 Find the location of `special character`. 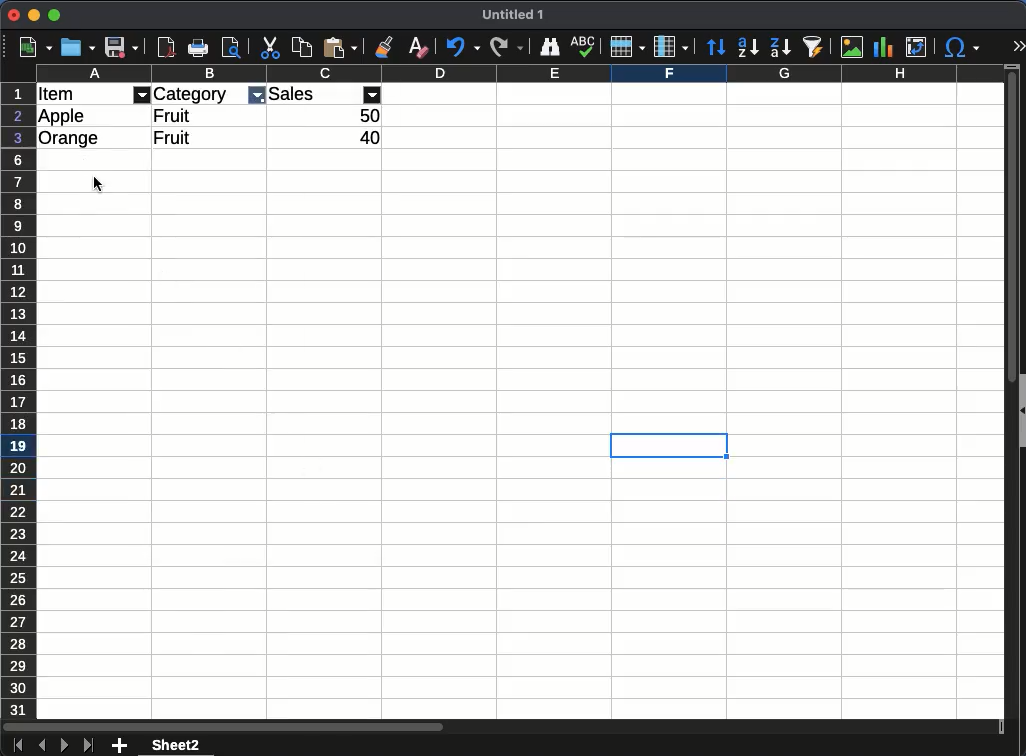

special character is located at coordinates (963, 49).